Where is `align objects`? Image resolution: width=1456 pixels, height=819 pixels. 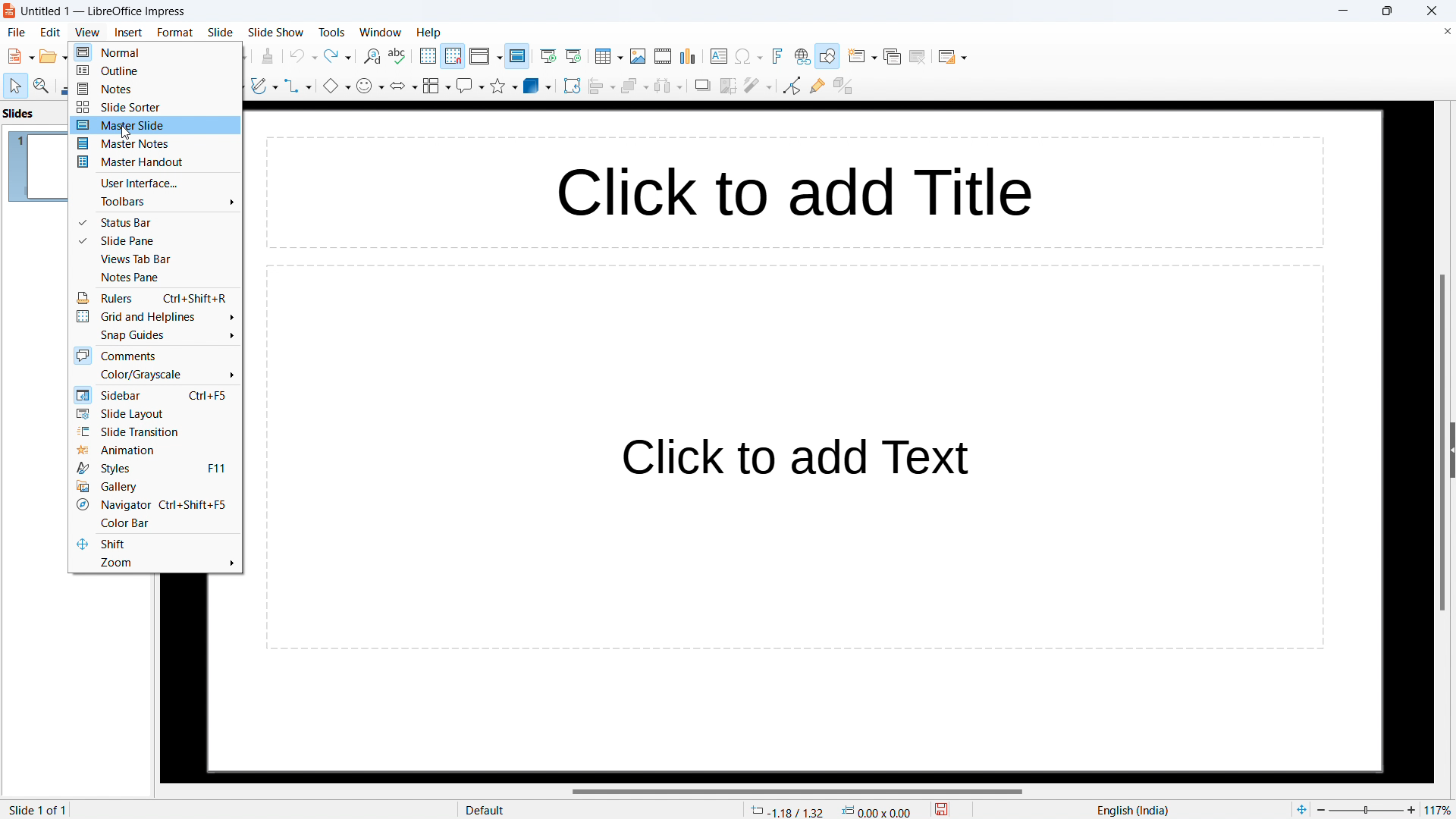 align objects is located at coordinates (601, 86).